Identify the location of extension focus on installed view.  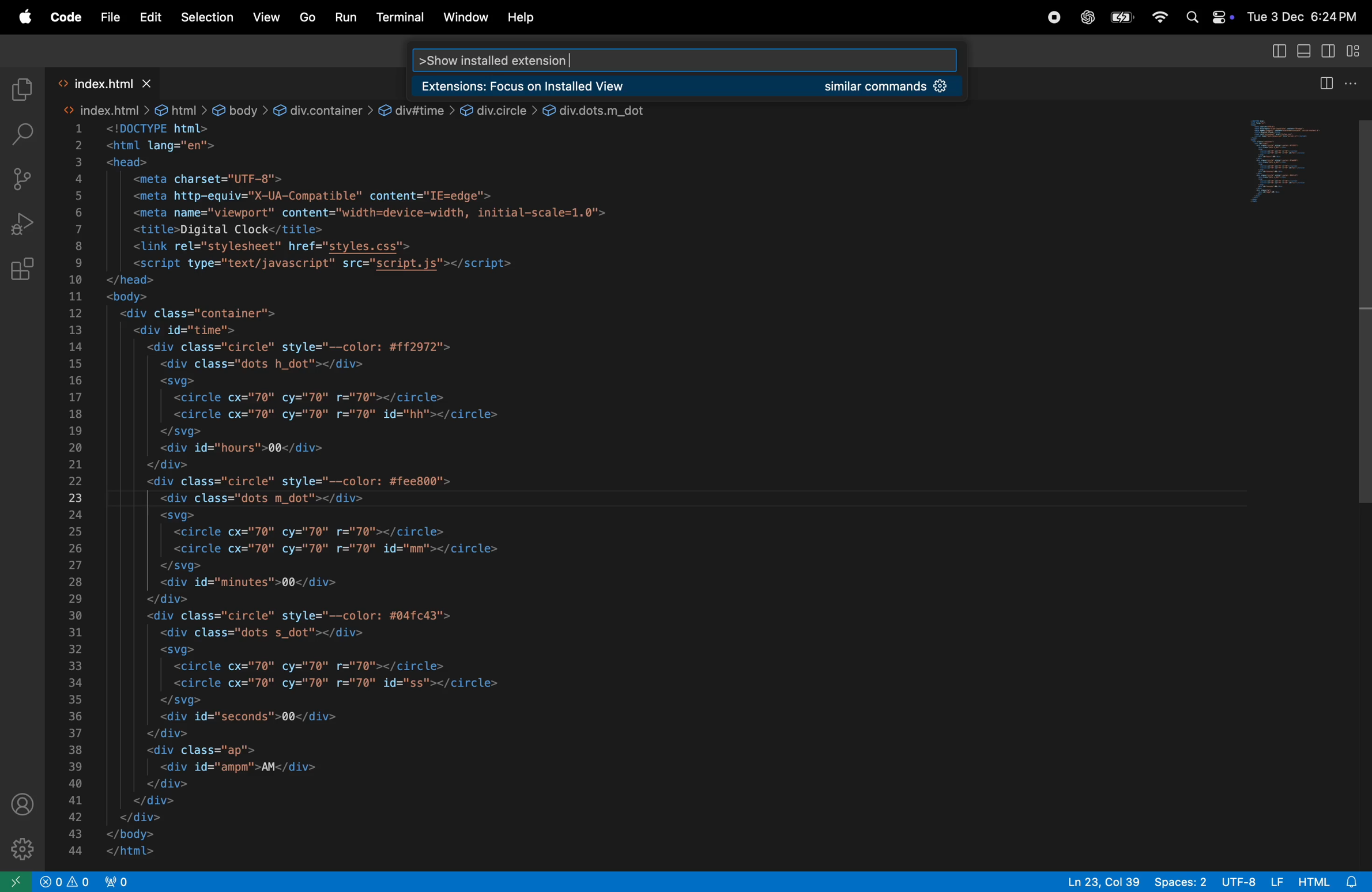
(685, 83).